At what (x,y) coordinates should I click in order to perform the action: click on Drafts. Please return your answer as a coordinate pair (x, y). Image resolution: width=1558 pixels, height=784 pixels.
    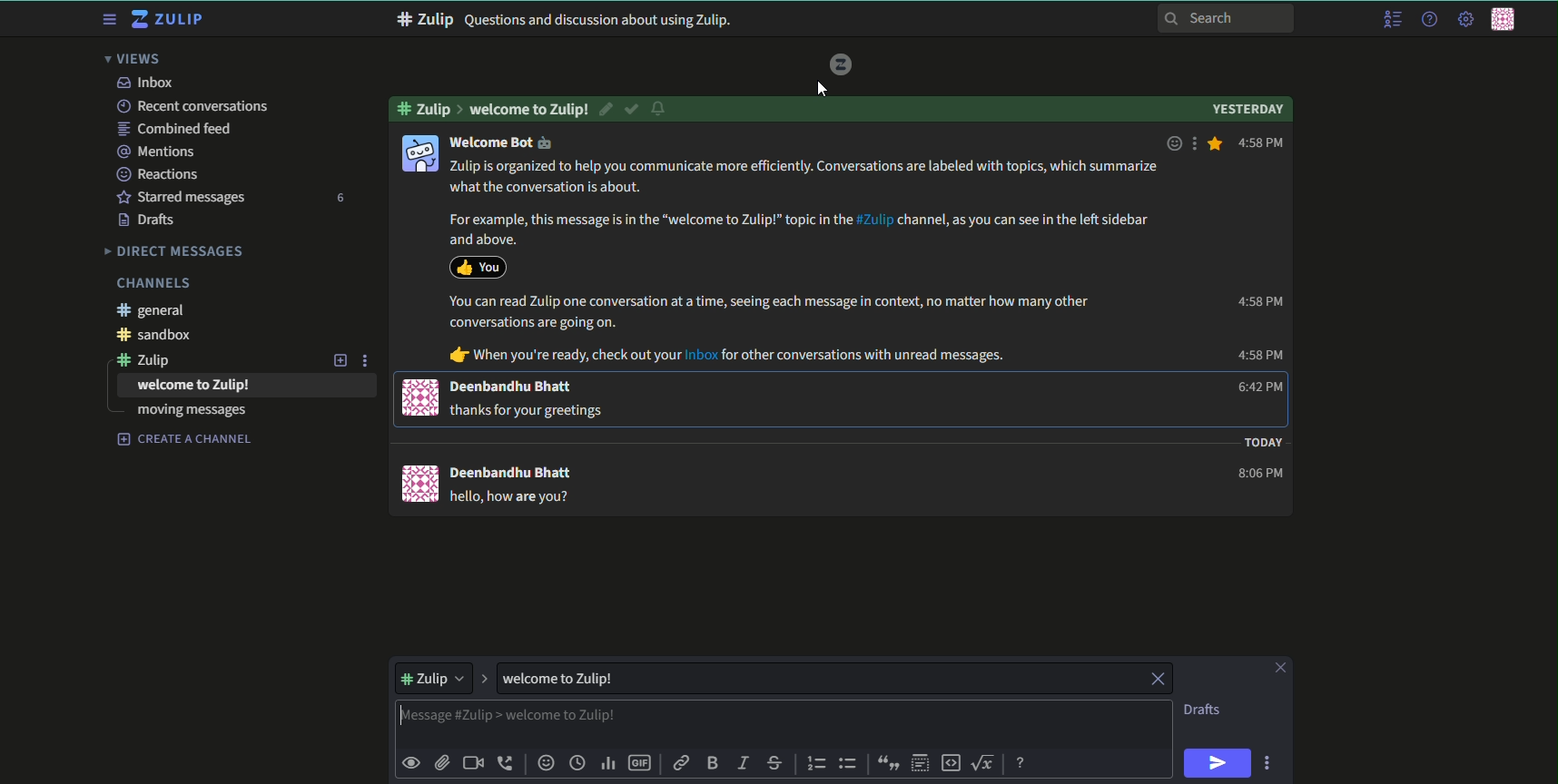
    Looking at the image, I should click on (1204, 710).